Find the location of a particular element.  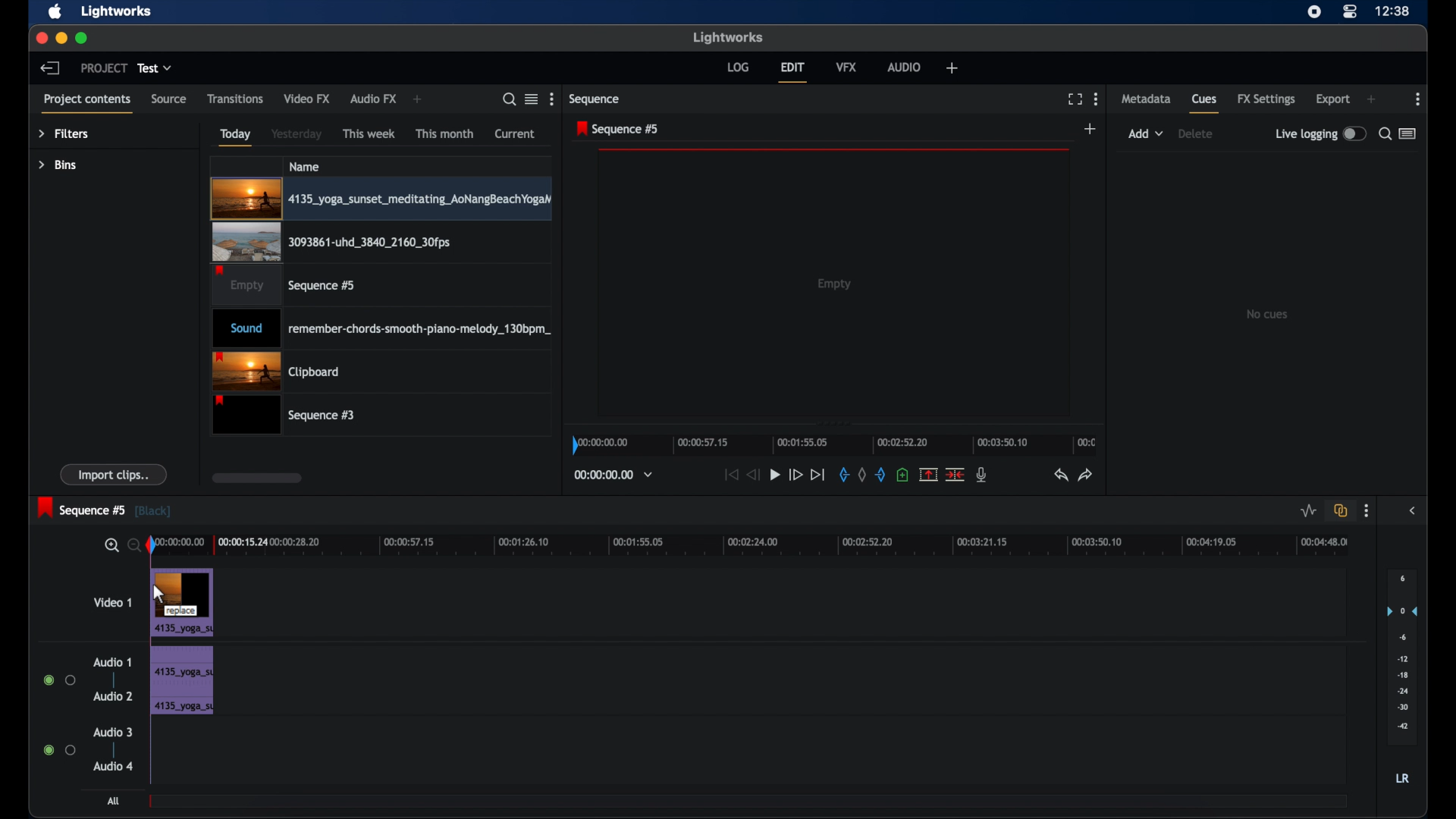

delete is located at coordinates (1198, 134).